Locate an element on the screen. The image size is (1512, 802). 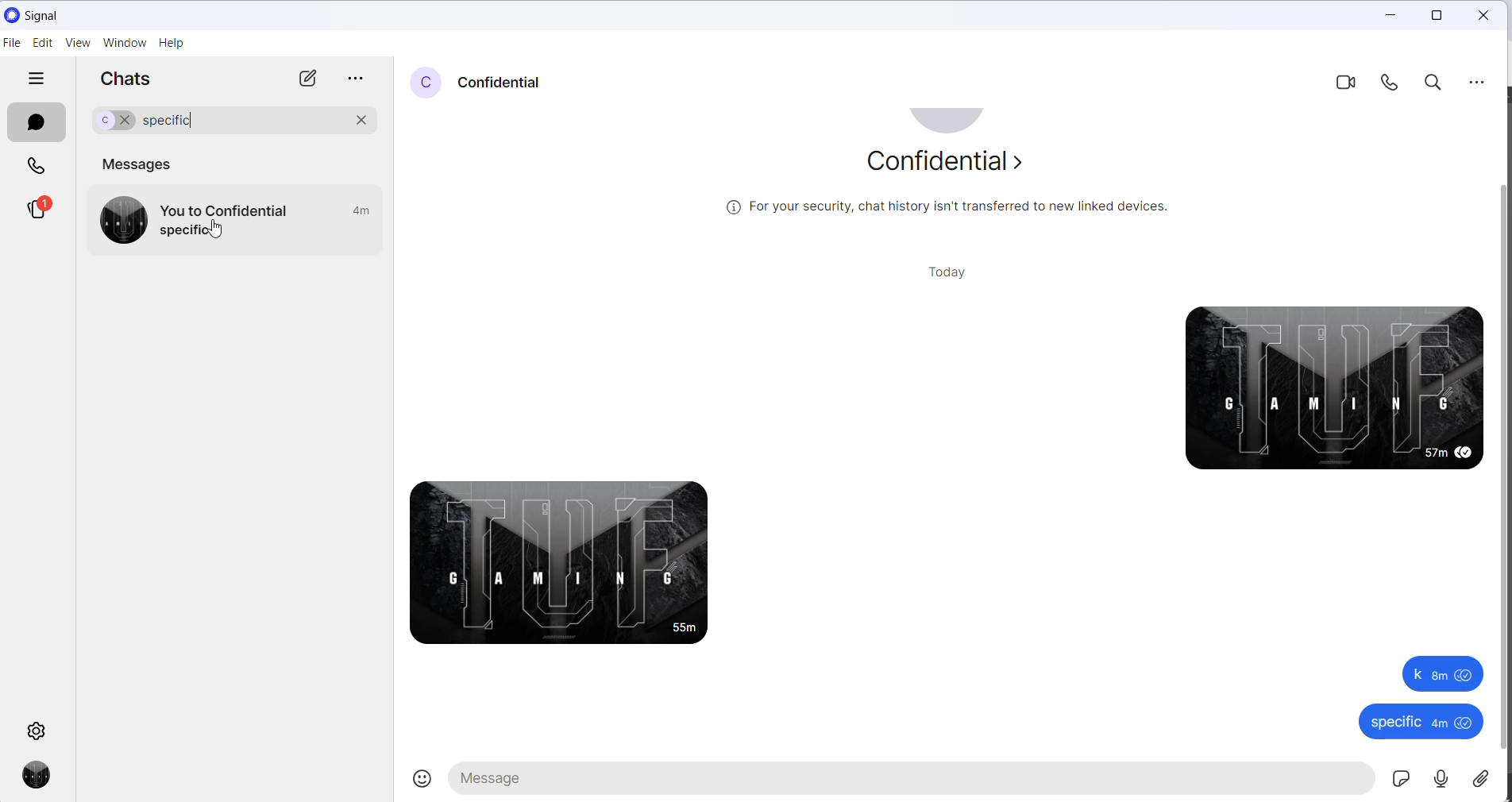
security related text is located at coordinates (956, 210).